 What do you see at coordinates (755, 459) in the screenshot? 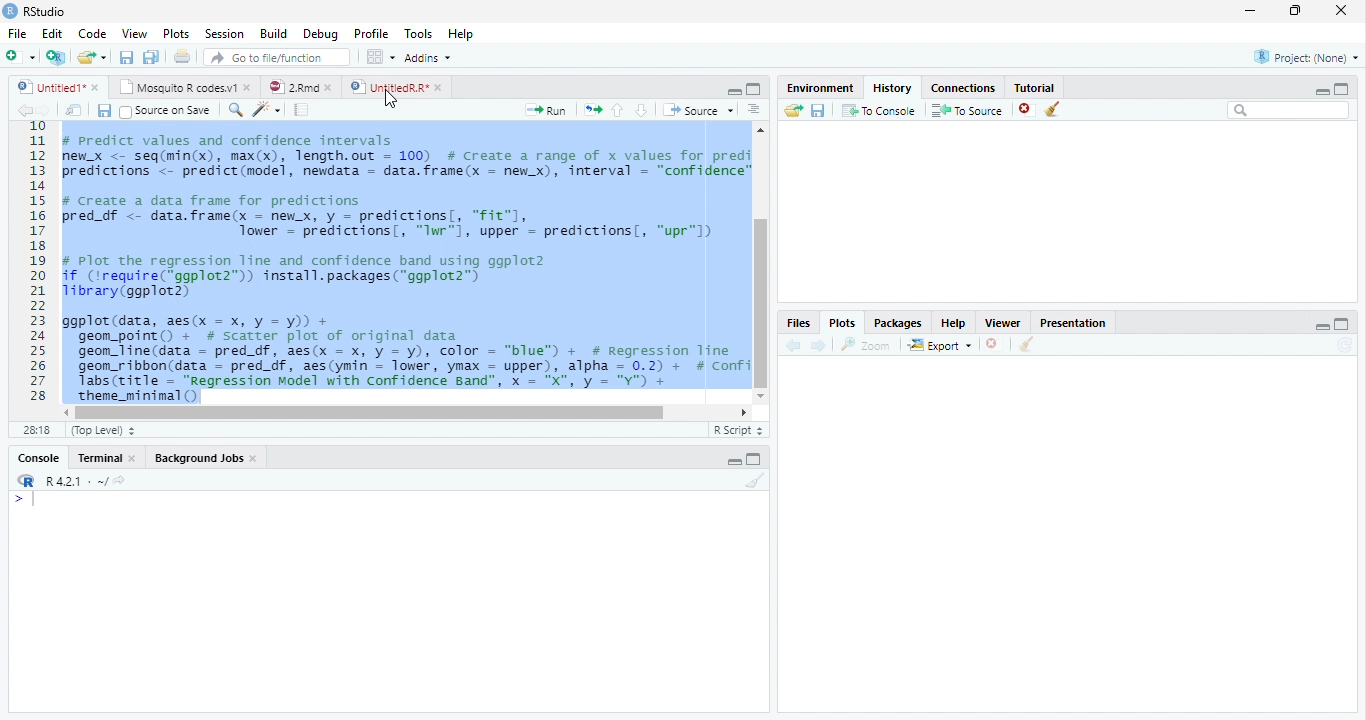
I see `Maximize` at bounding box center [755, 459].